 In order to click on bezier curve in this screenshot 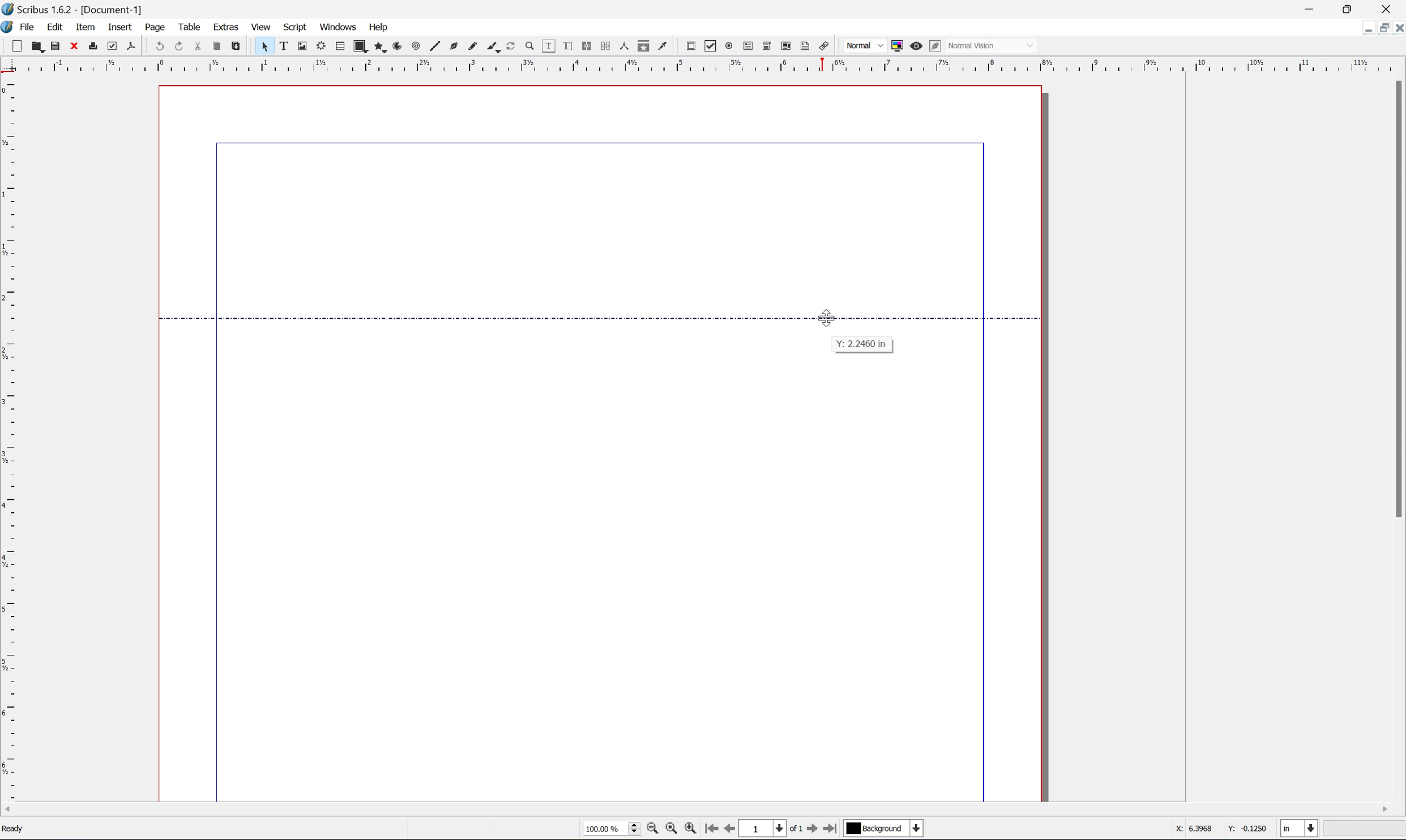, I will do `click(455, 48)`.